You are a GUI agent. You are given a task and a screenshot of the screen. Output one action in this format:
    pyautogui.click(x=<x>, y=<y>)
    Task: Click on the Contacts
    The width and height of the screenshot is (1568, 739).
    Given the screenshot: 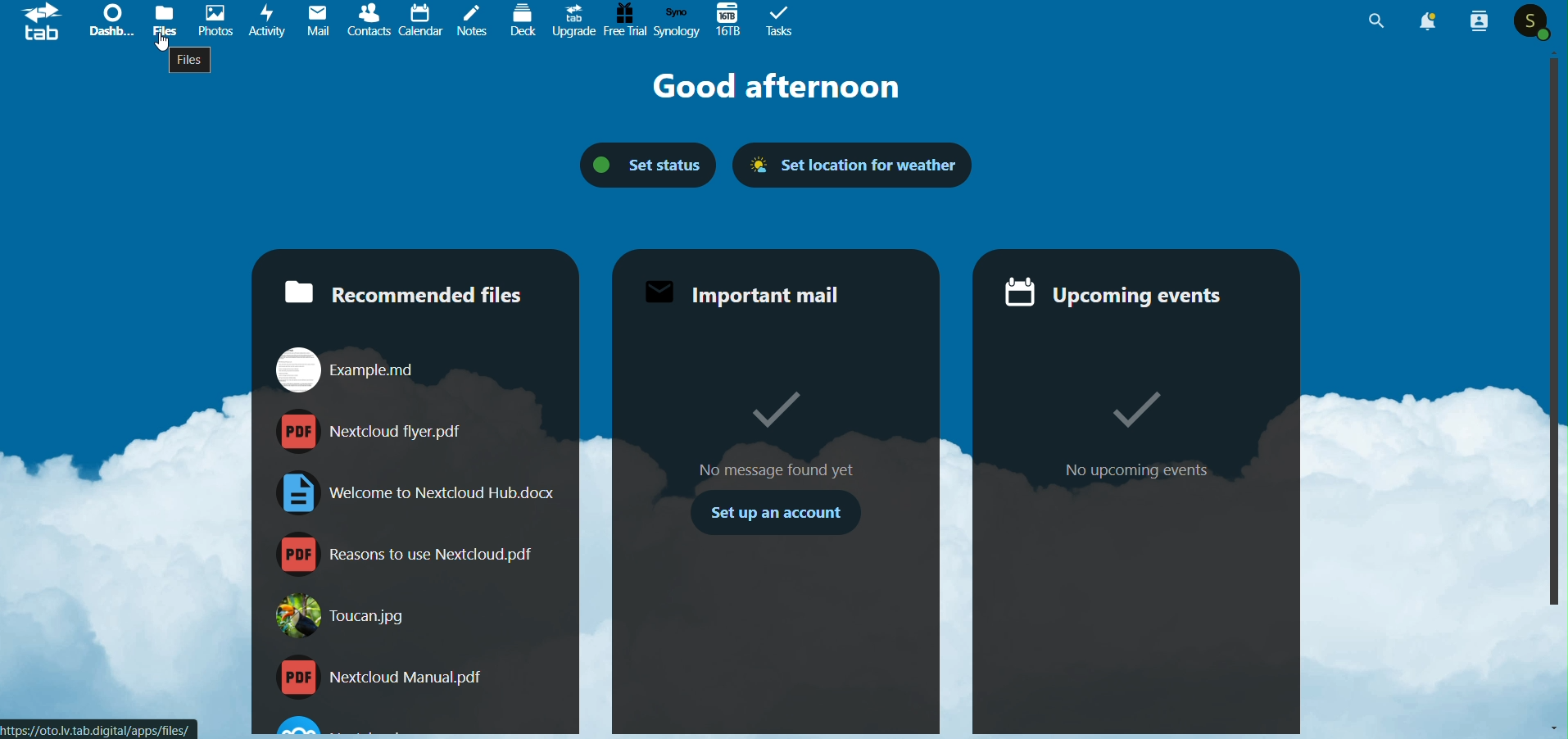 What is the action you would take?
    pyautogui.click(x=371, y=20)
    